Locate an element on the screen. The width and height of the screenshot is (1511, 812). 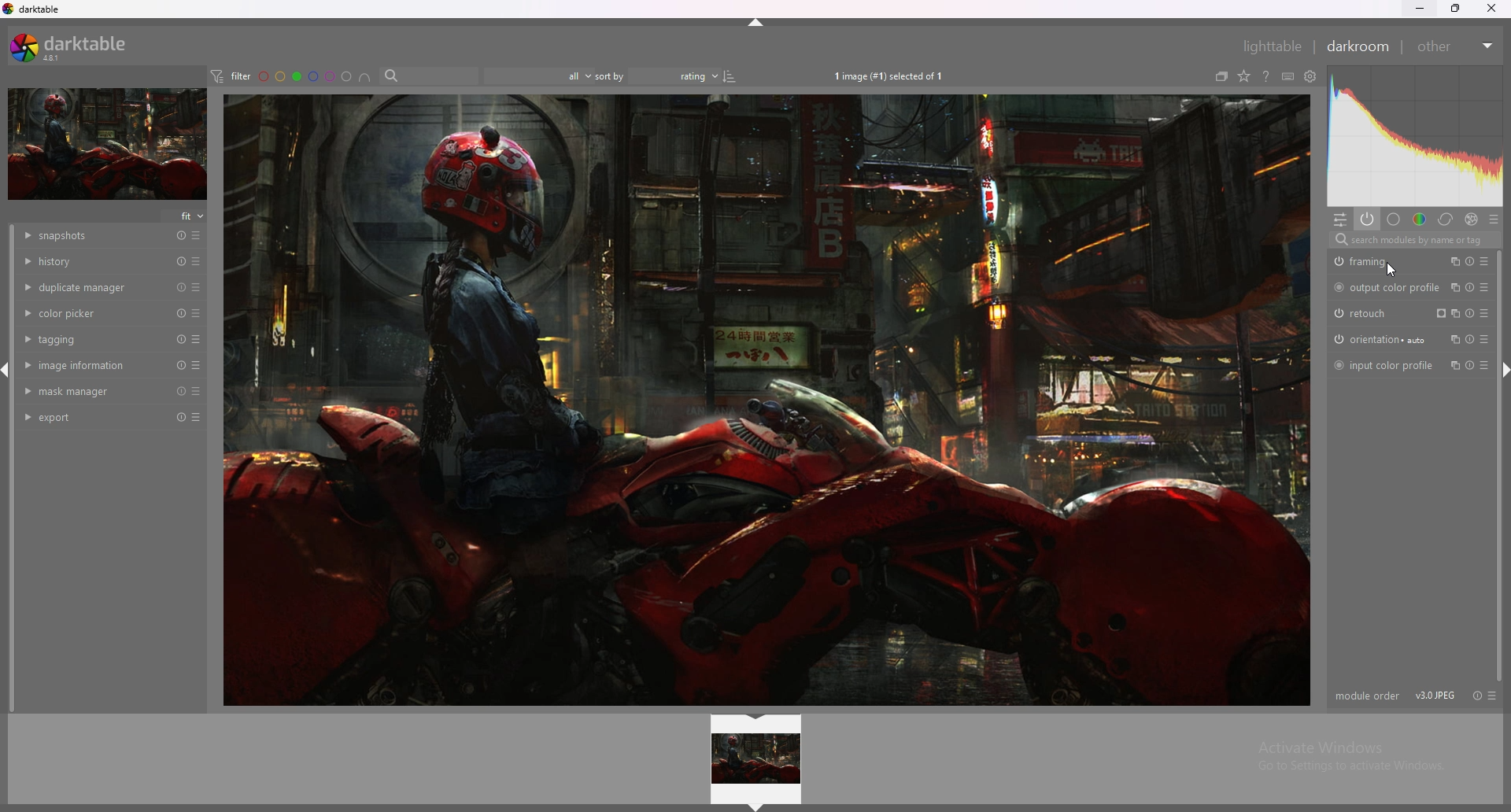
presets is located at coordinates (1486, 340).